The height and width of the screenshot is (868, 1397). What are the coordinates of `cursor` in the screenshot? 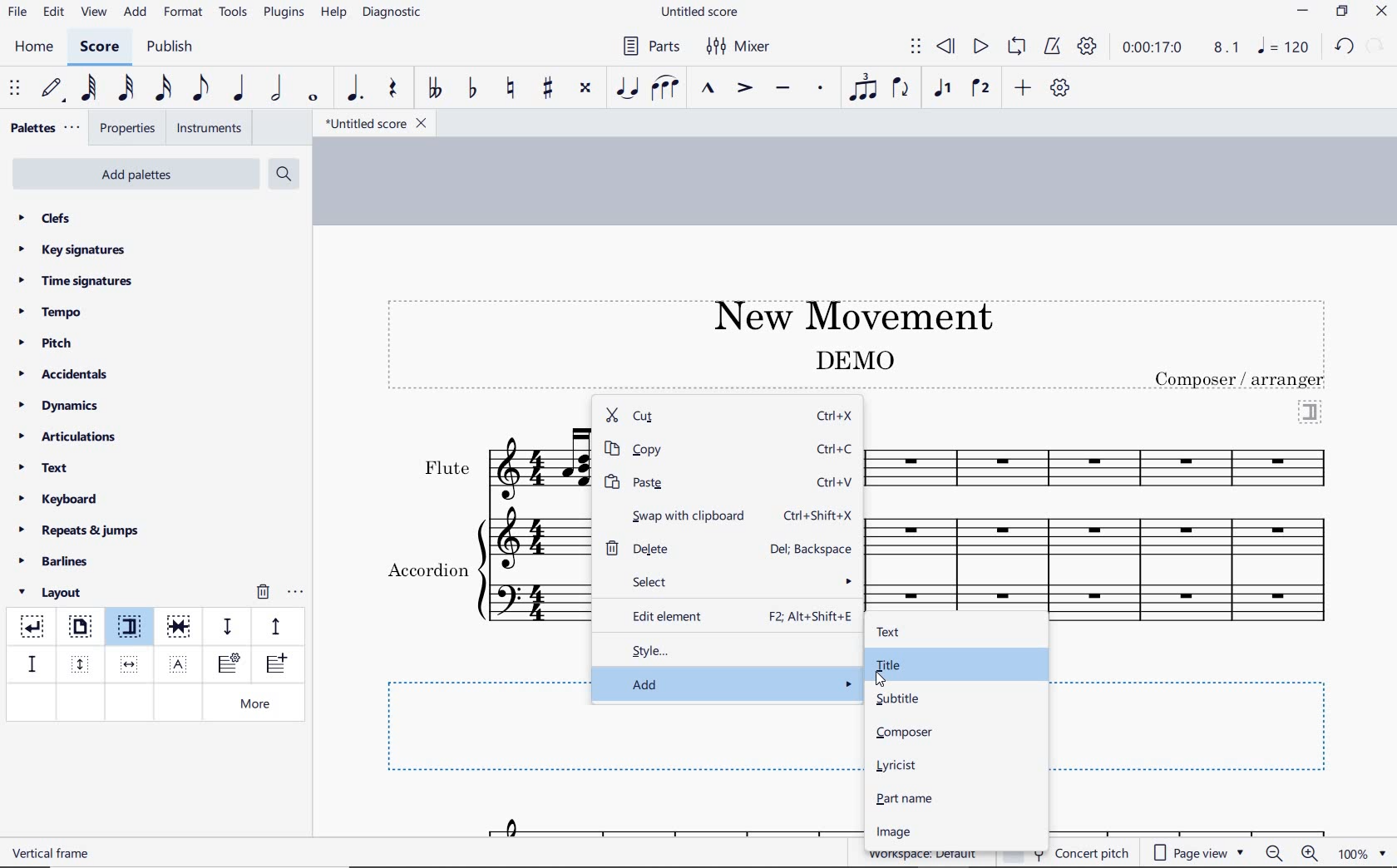 It's located at (881, 678).